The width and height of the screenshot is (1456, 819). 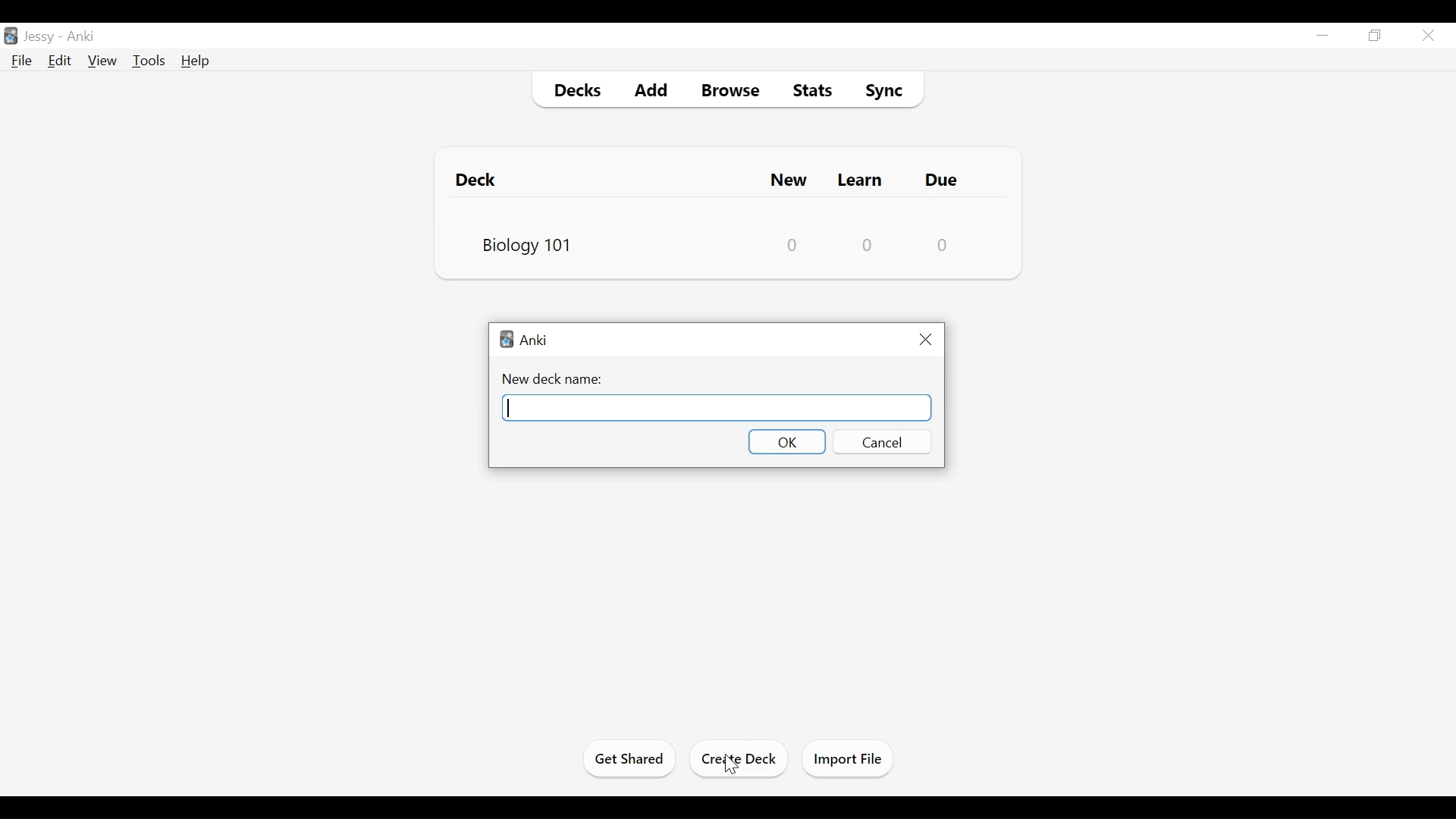 I want to click on Deck, so click(x=482, y=179).